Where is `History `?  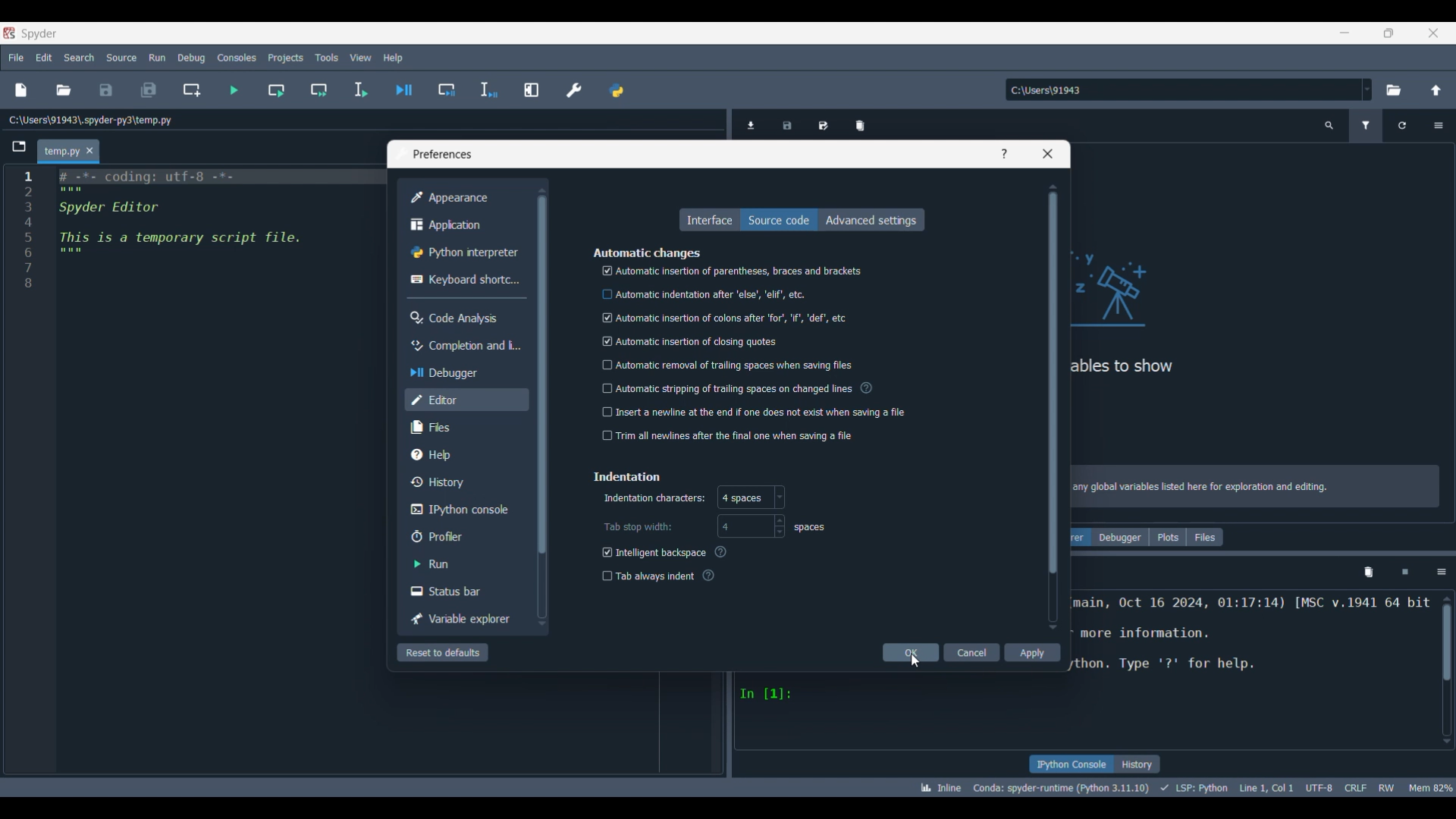 History  is located at coordinates (1138, 764).